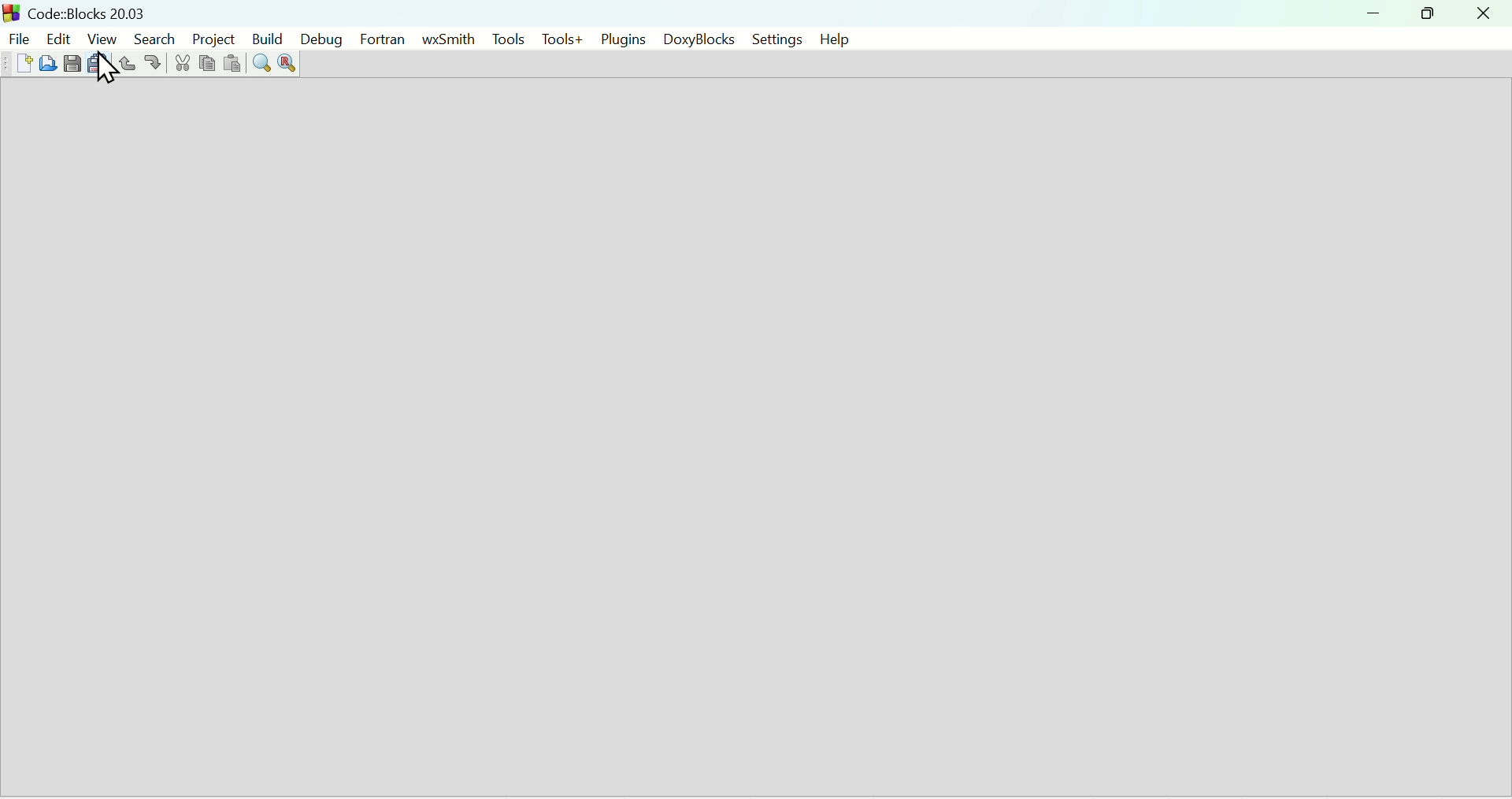 The height and width of the screenshot is (799, 1512). I want to click on View, so click(103, 38).